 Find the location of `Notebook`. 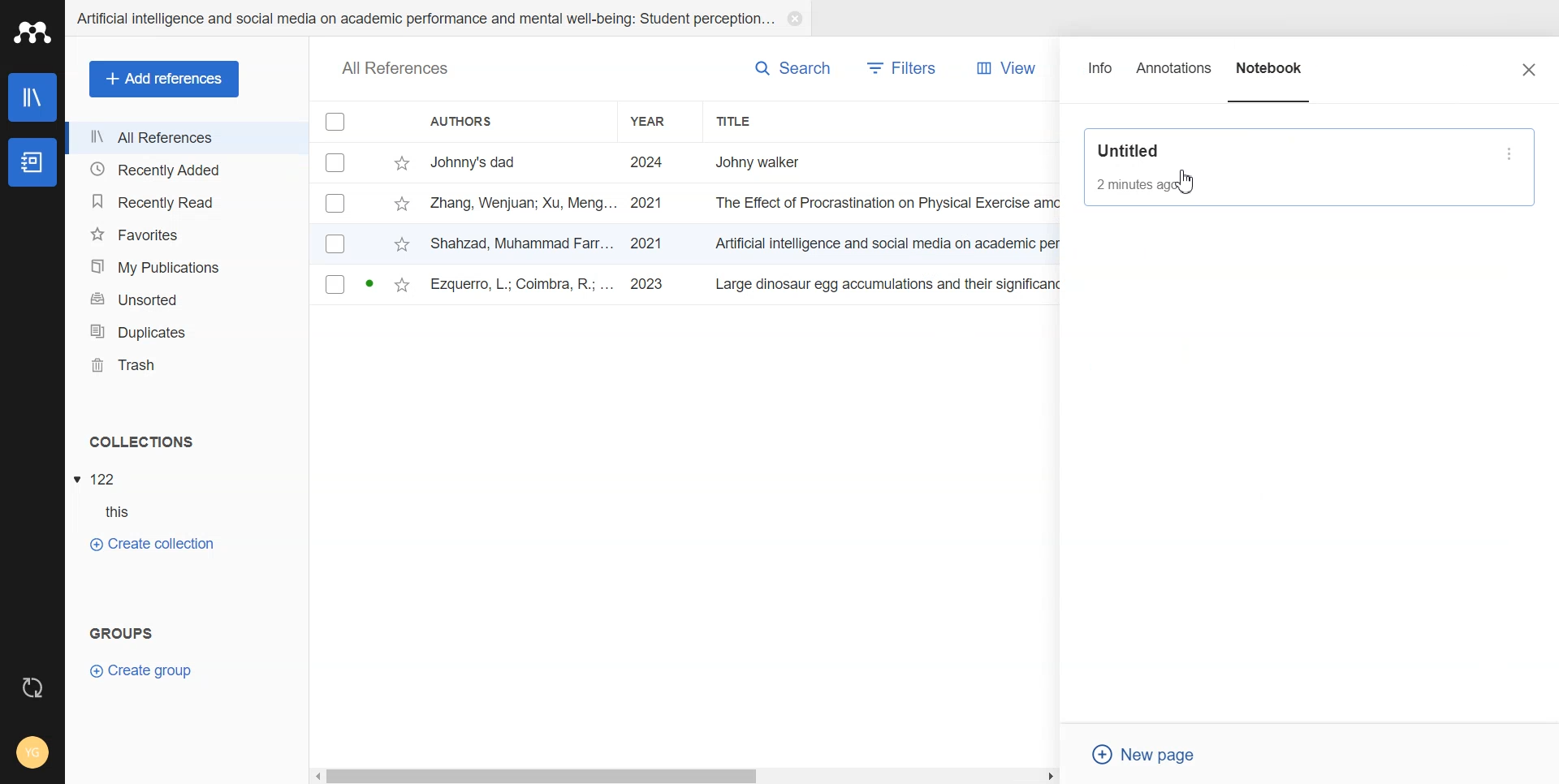

Notebook is located at coordinates (31, 163).